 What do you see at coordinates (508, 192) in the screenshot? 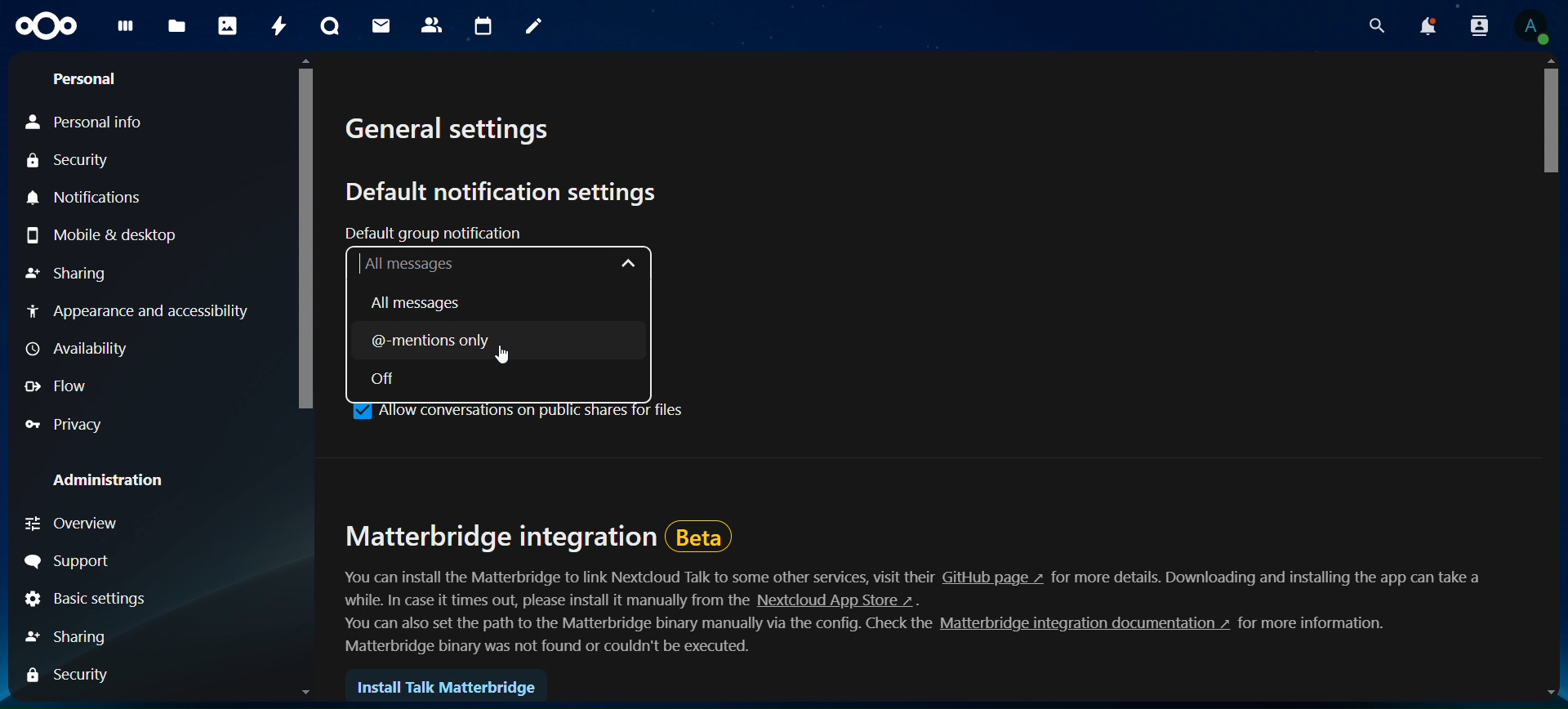
I see `default notification settings` at bounding box center [508, 192].